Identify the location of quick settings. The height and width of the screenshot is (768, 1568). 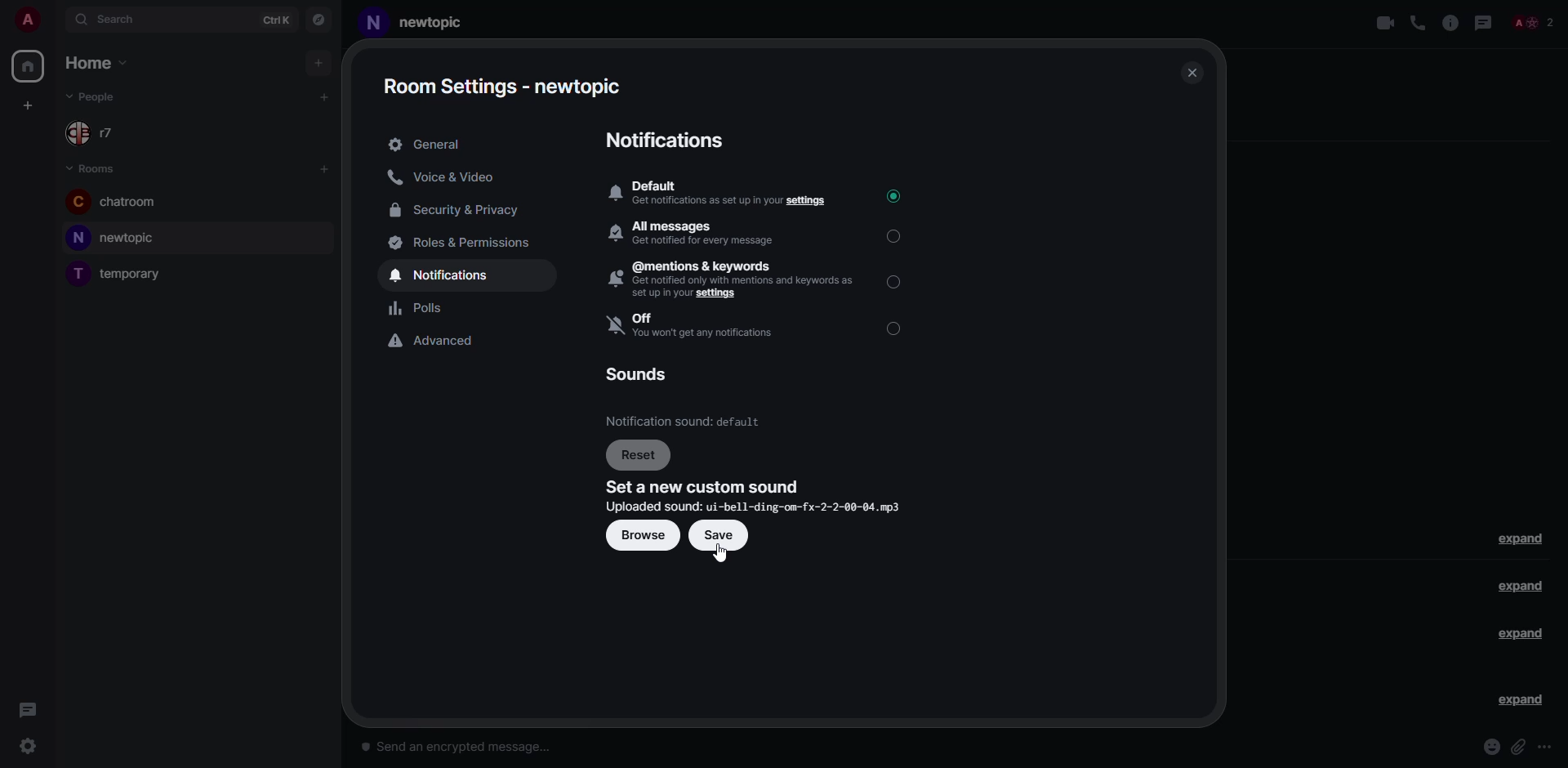
(27, 747).